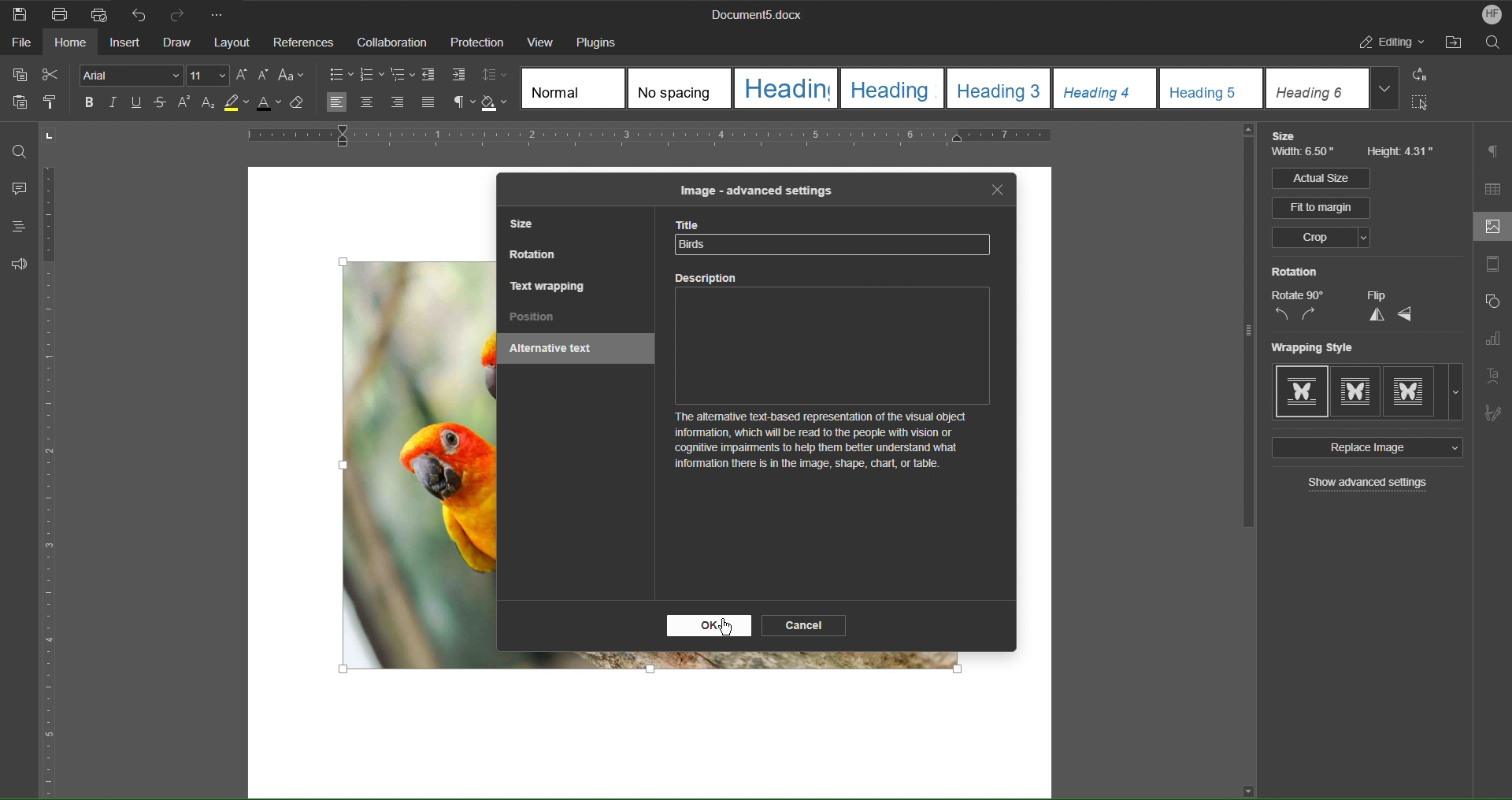 This screenshot has width=1512, height=800. I want to click on , so click(1311, 347).